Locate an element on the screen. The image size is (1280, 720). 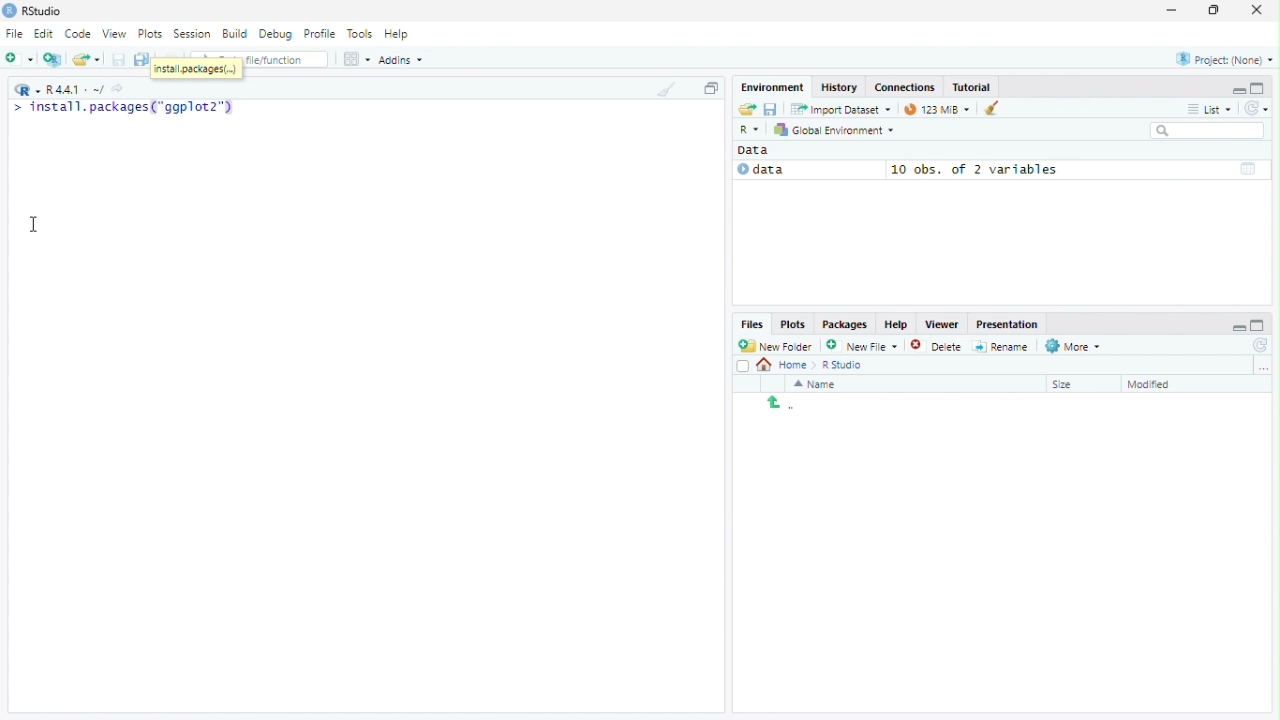
Create new file is located at coordinates (862, 345).